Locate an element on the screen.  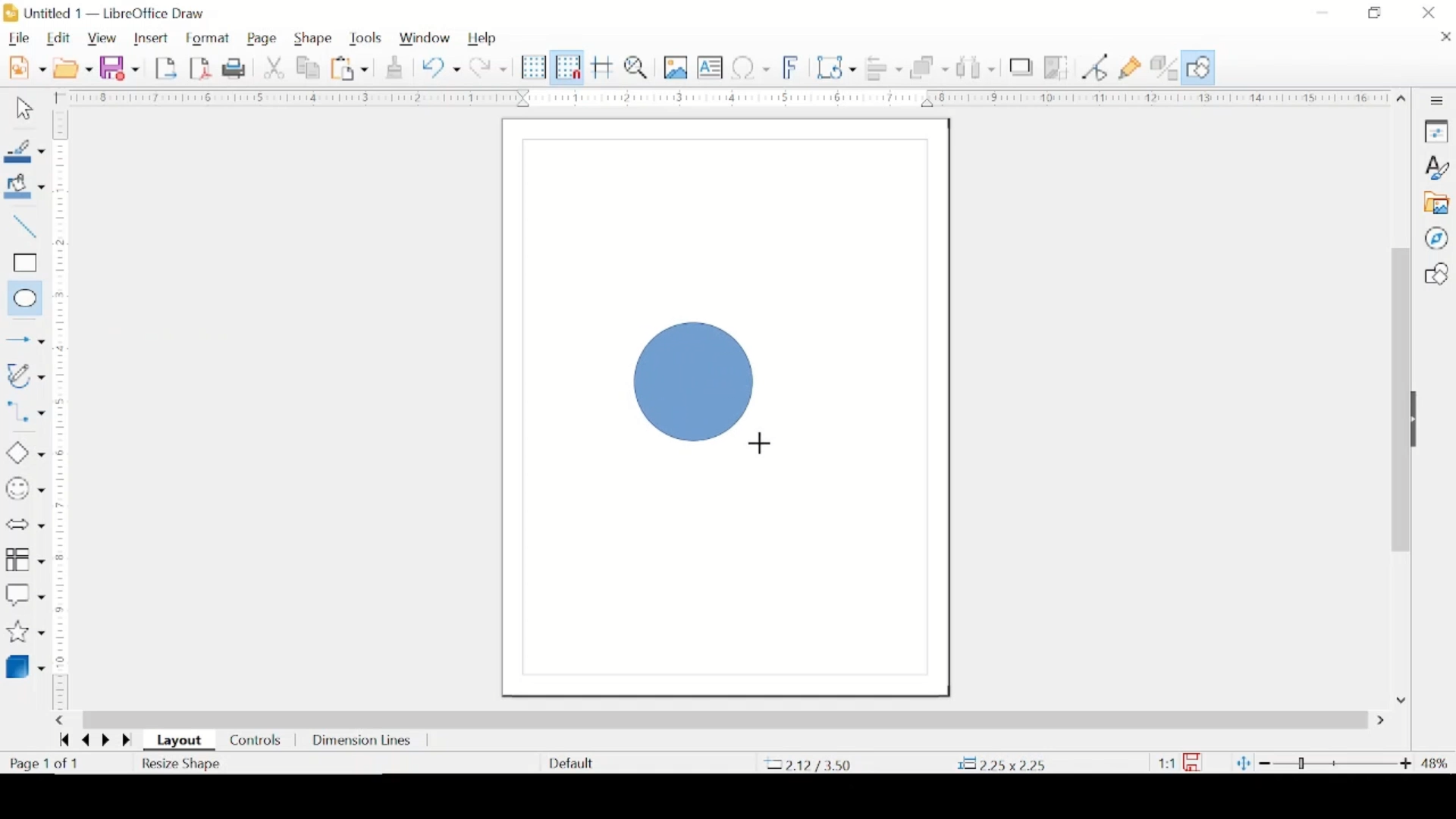
help is located at coordinates (483, 39).